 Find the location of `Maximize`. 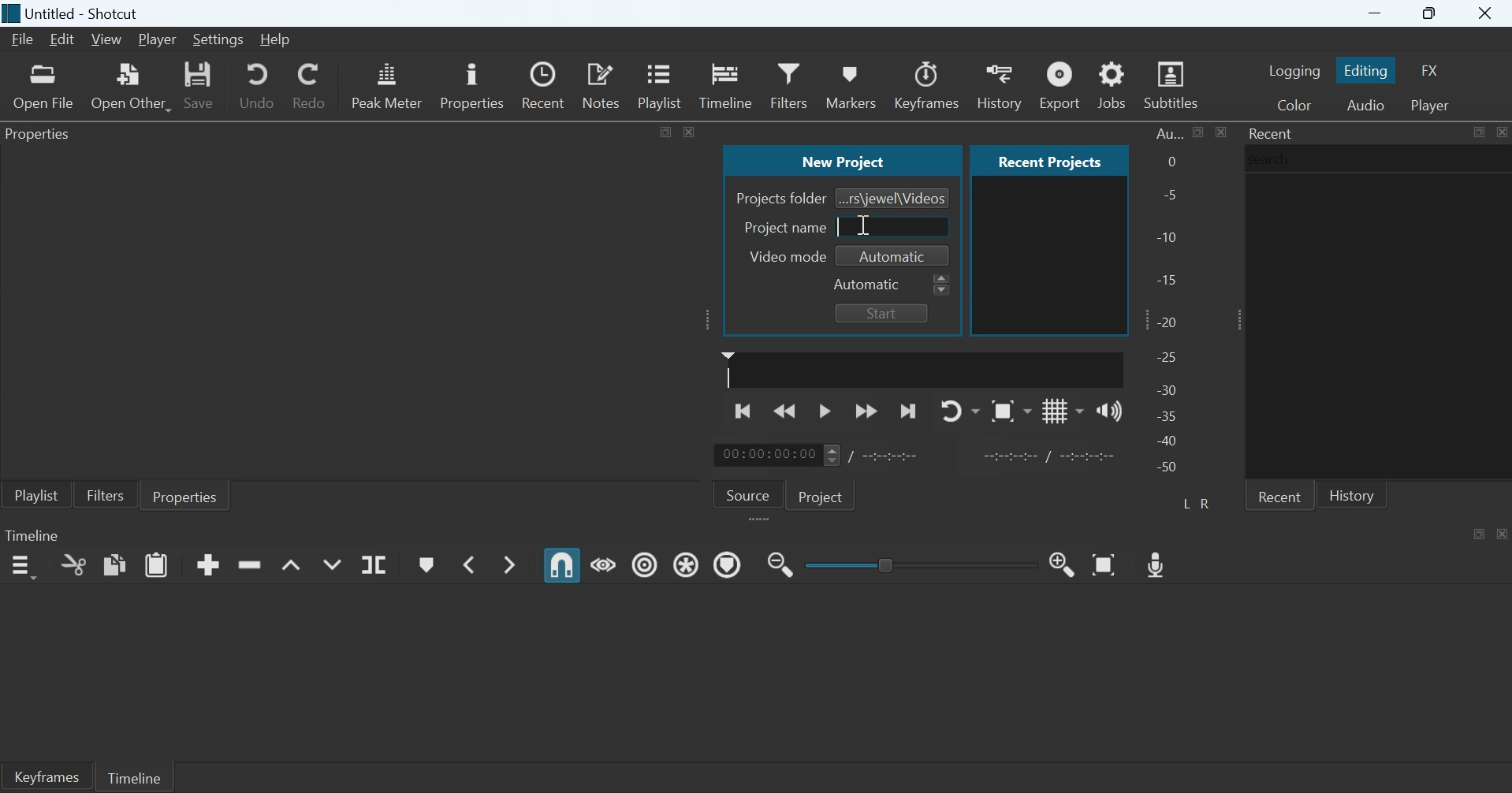

Maximize is located at coordinates (1478, 132).